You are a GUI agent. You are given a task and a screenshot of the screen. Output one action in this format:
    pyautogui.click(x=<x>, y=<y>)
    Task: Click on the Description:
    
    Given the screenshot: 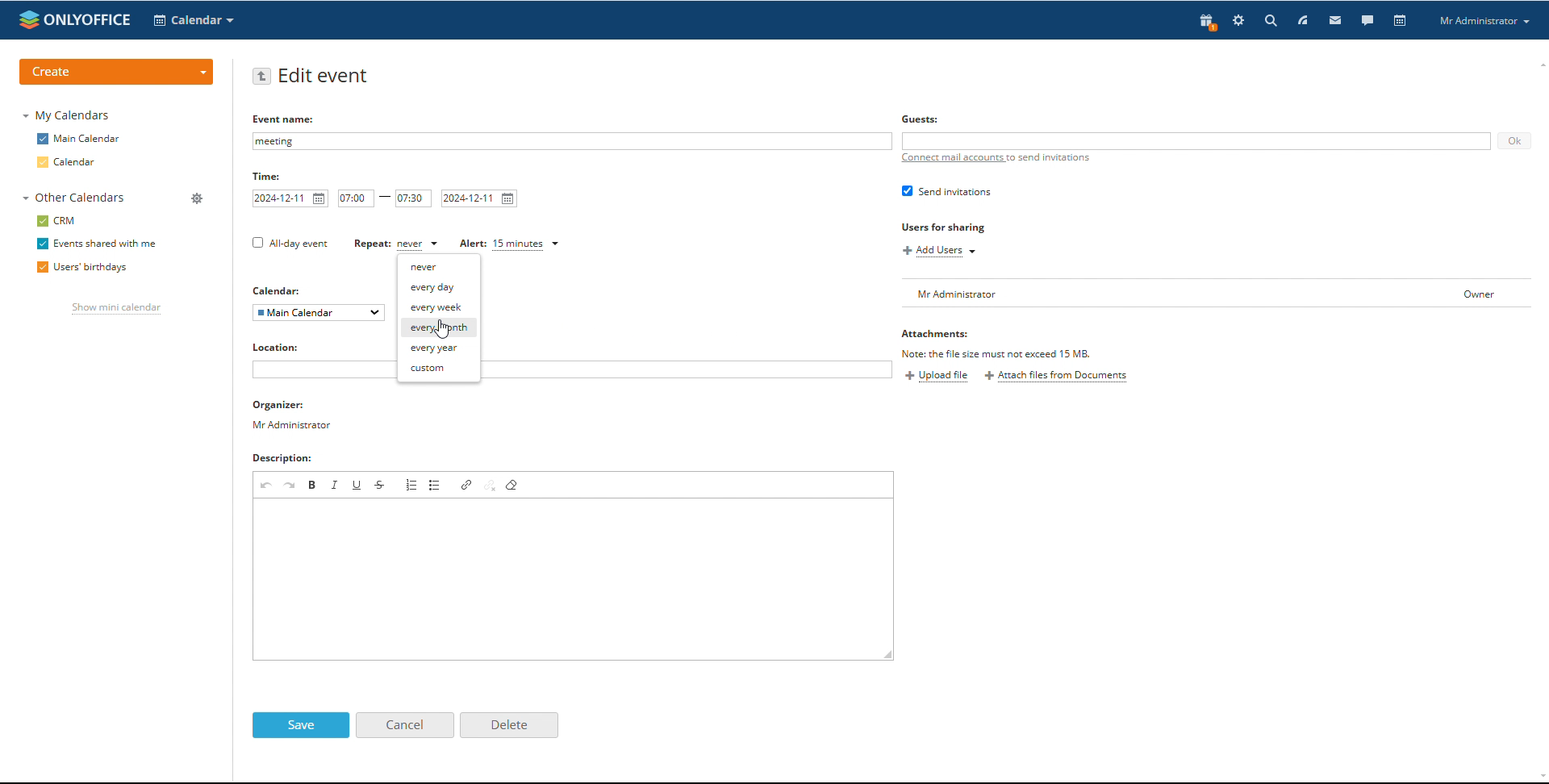 What is the action you would take?
    pyautogui.click(x=299, y=460)
    